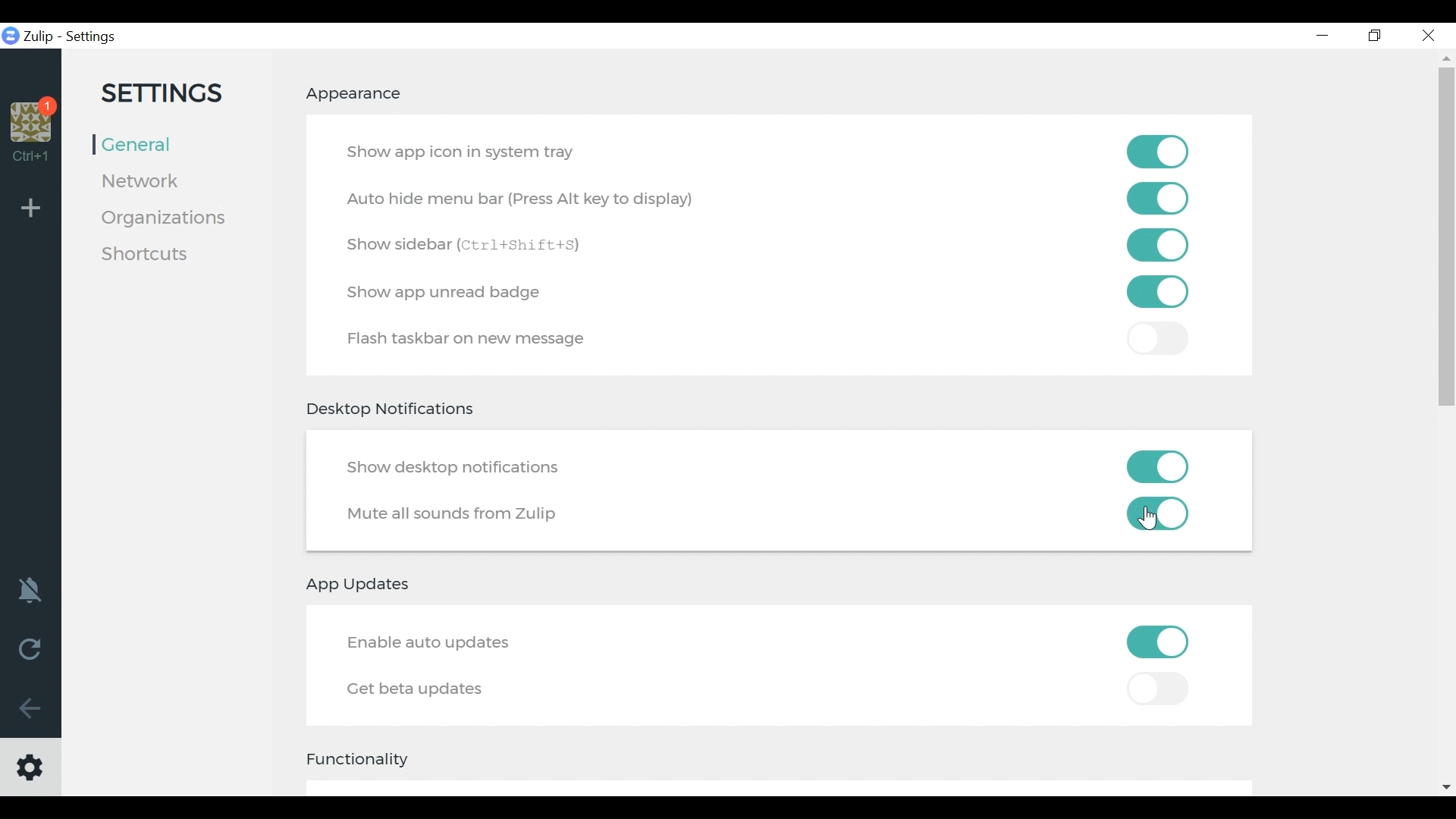 This screenshot has width=1456, height=819. I want to click on Flash taskbar, so click(472, 342).